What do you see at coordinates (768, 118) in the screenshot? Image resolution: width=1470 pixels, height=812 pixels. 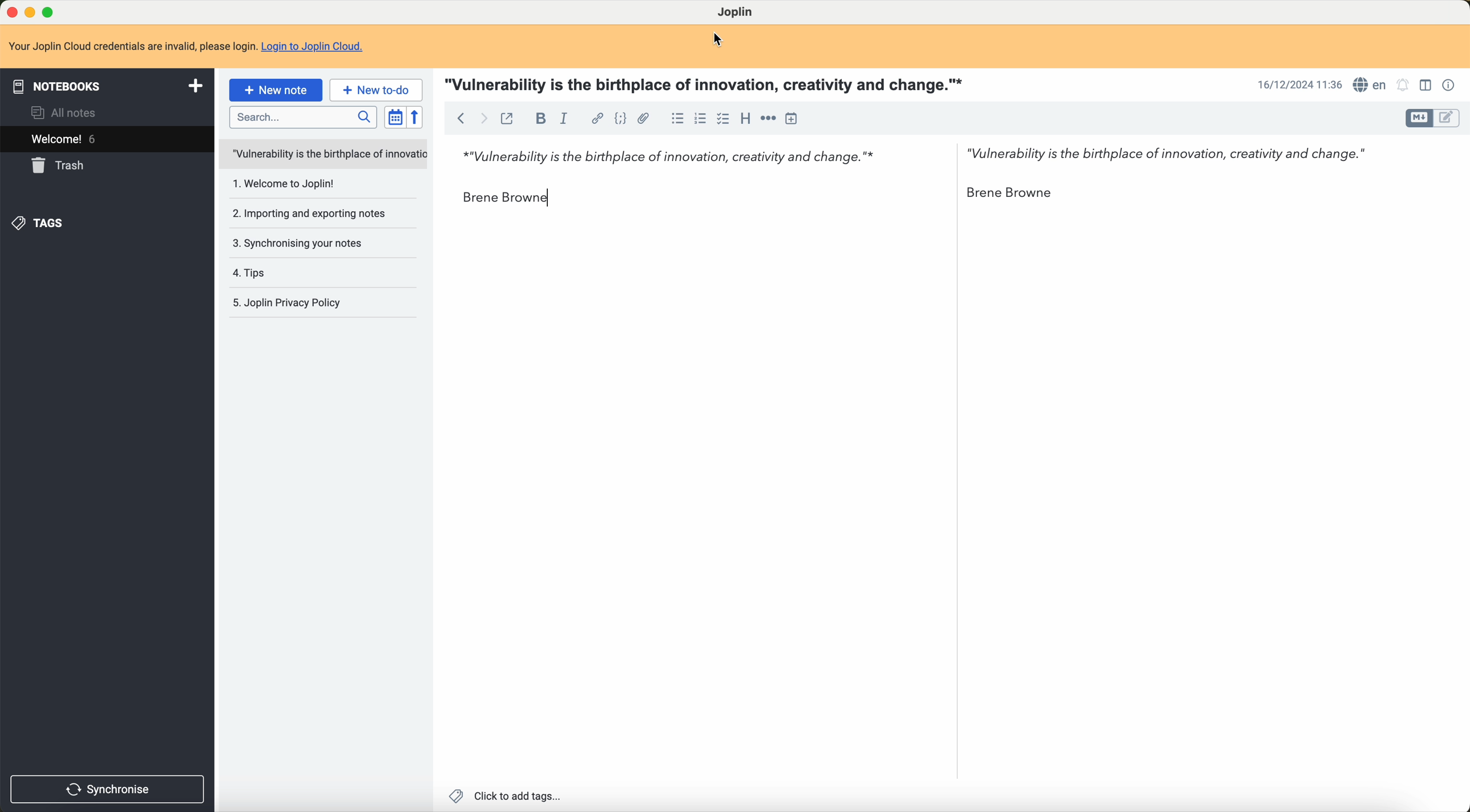 I see `horizontal rule` at bounding box center [768, 118].